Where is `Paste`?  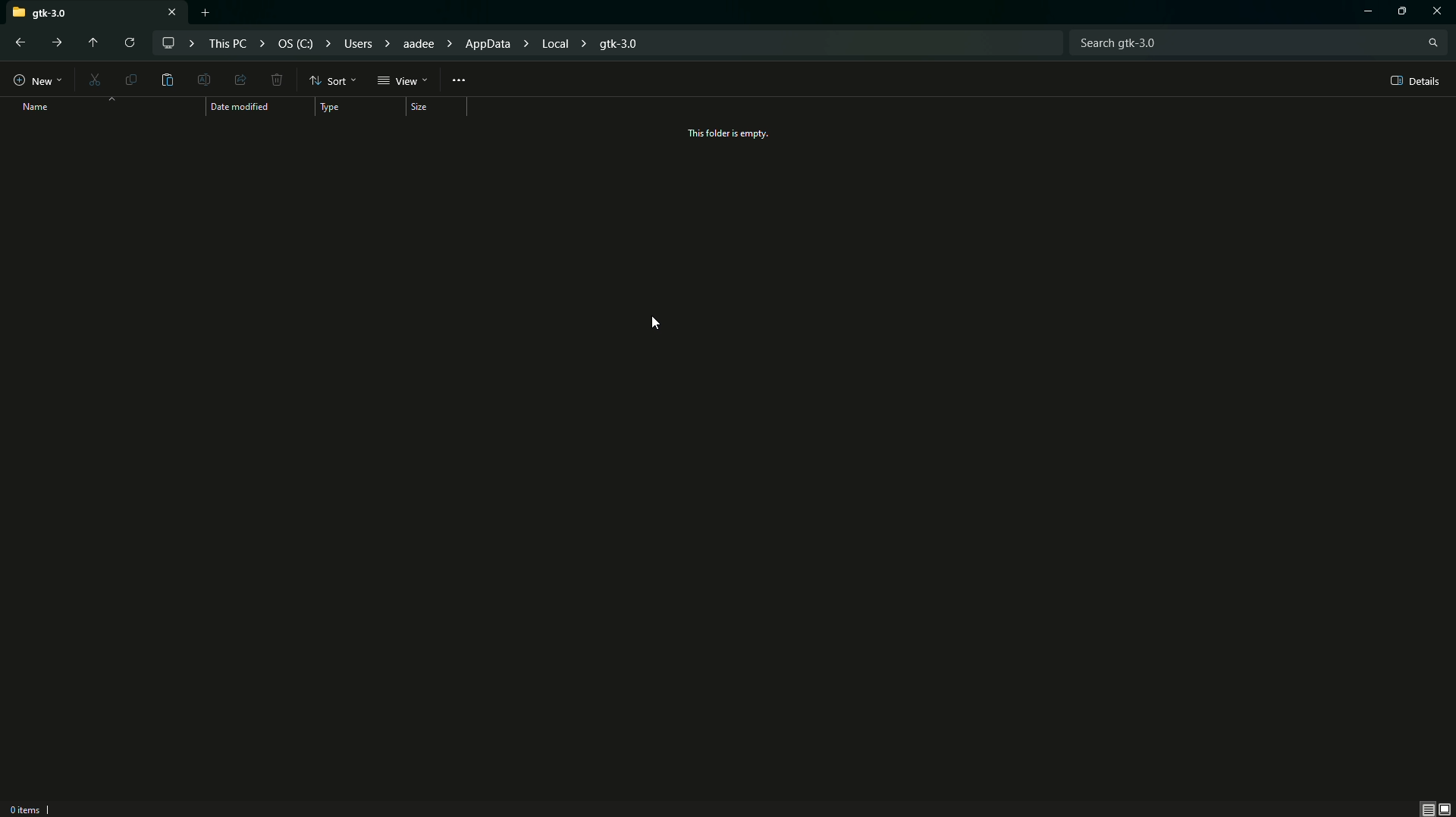 Paste is located at coordinates (168, 81).